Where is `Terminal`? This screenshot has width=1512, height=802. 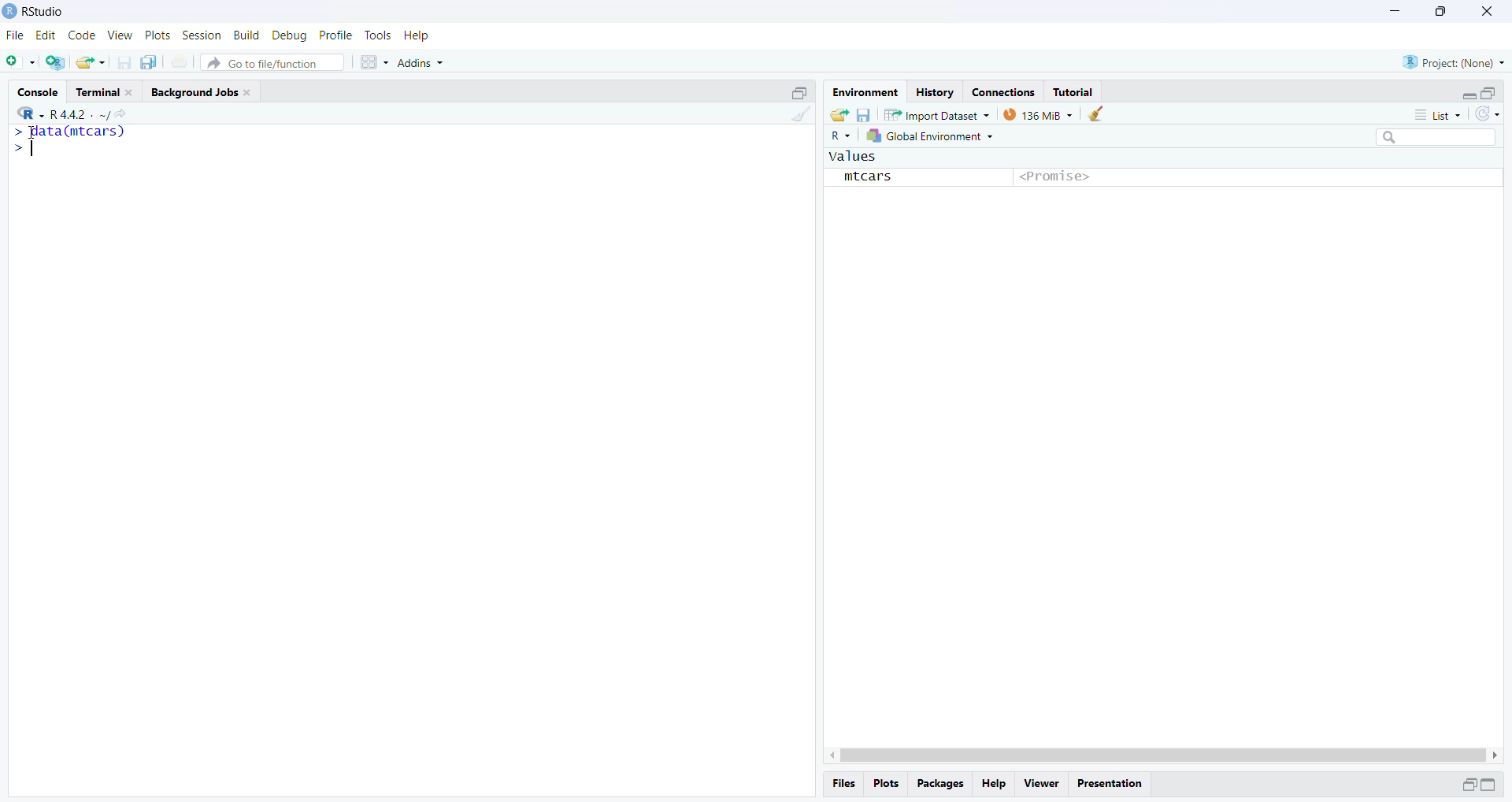 Terminal is located at coordinates (106, 91).